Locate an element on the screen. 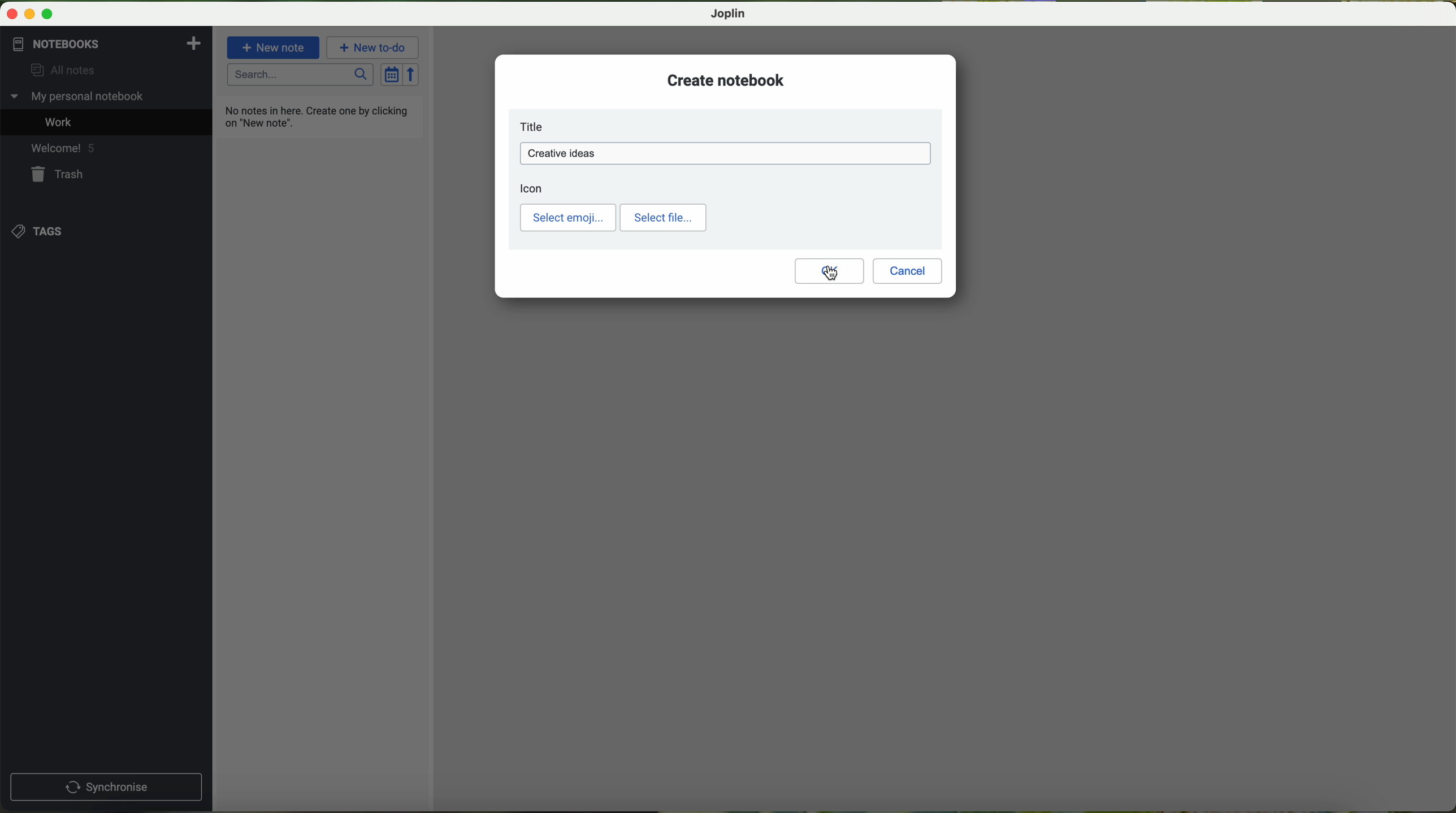  new note button is located at coordinates (274, 47).